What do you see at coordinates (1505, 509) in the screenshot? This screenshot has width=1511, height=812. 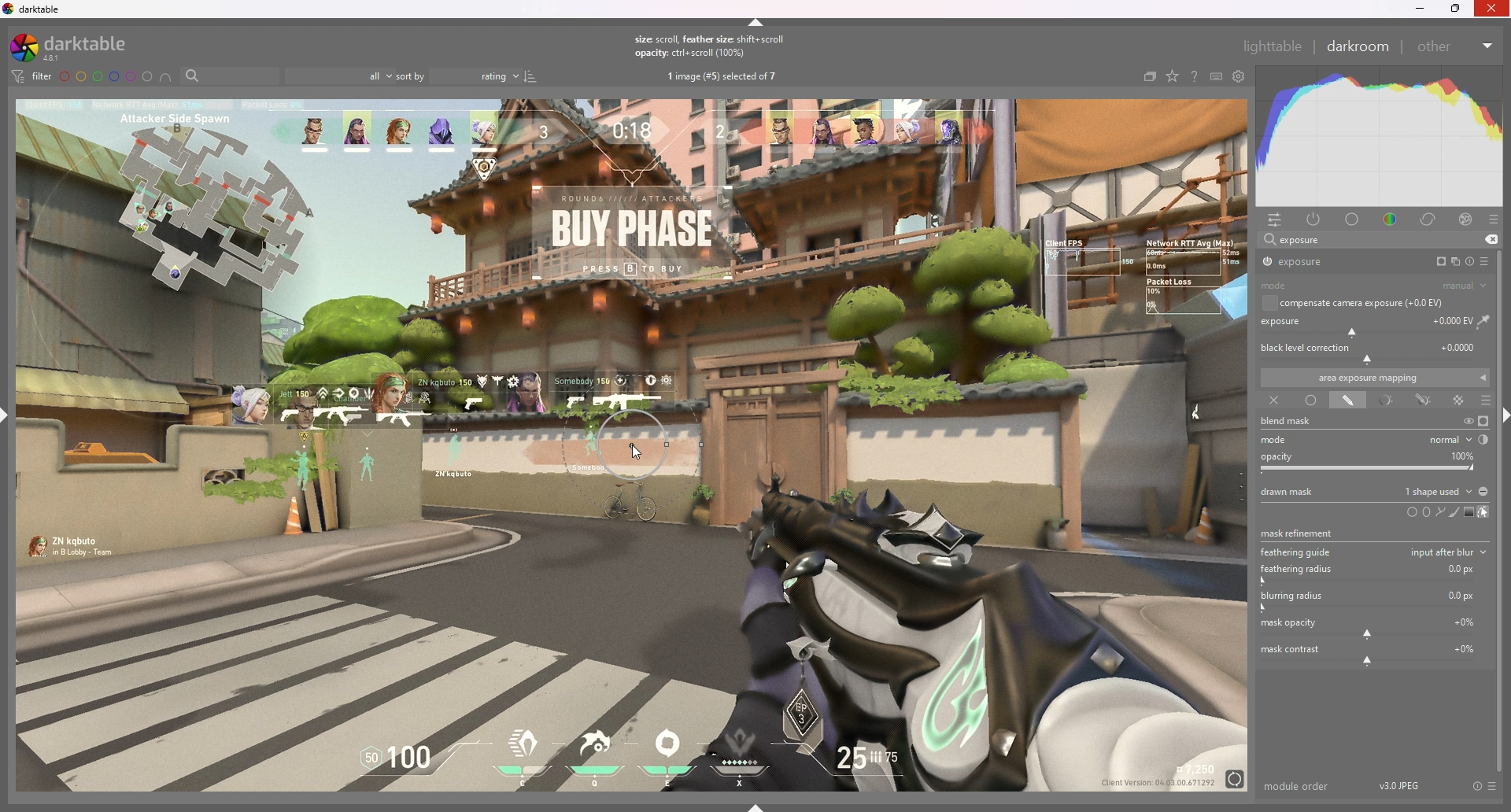 I see `scroll bar` at bounding box center [1505, 509].